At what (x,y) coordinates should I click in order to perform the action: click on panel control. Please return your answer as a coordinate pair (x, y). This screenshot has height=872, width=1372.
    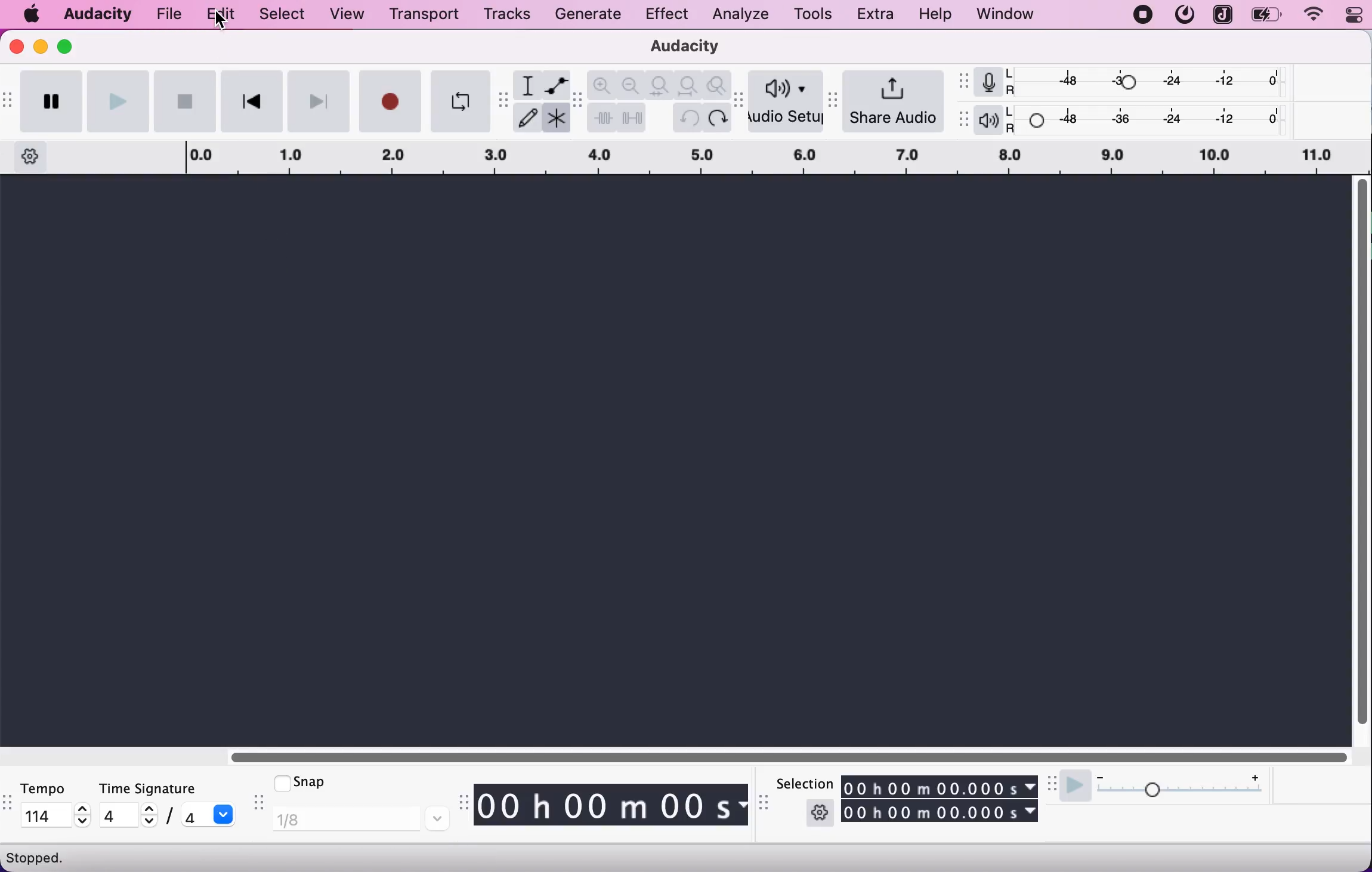
    Looking at the image, I should click on (1348, 16).